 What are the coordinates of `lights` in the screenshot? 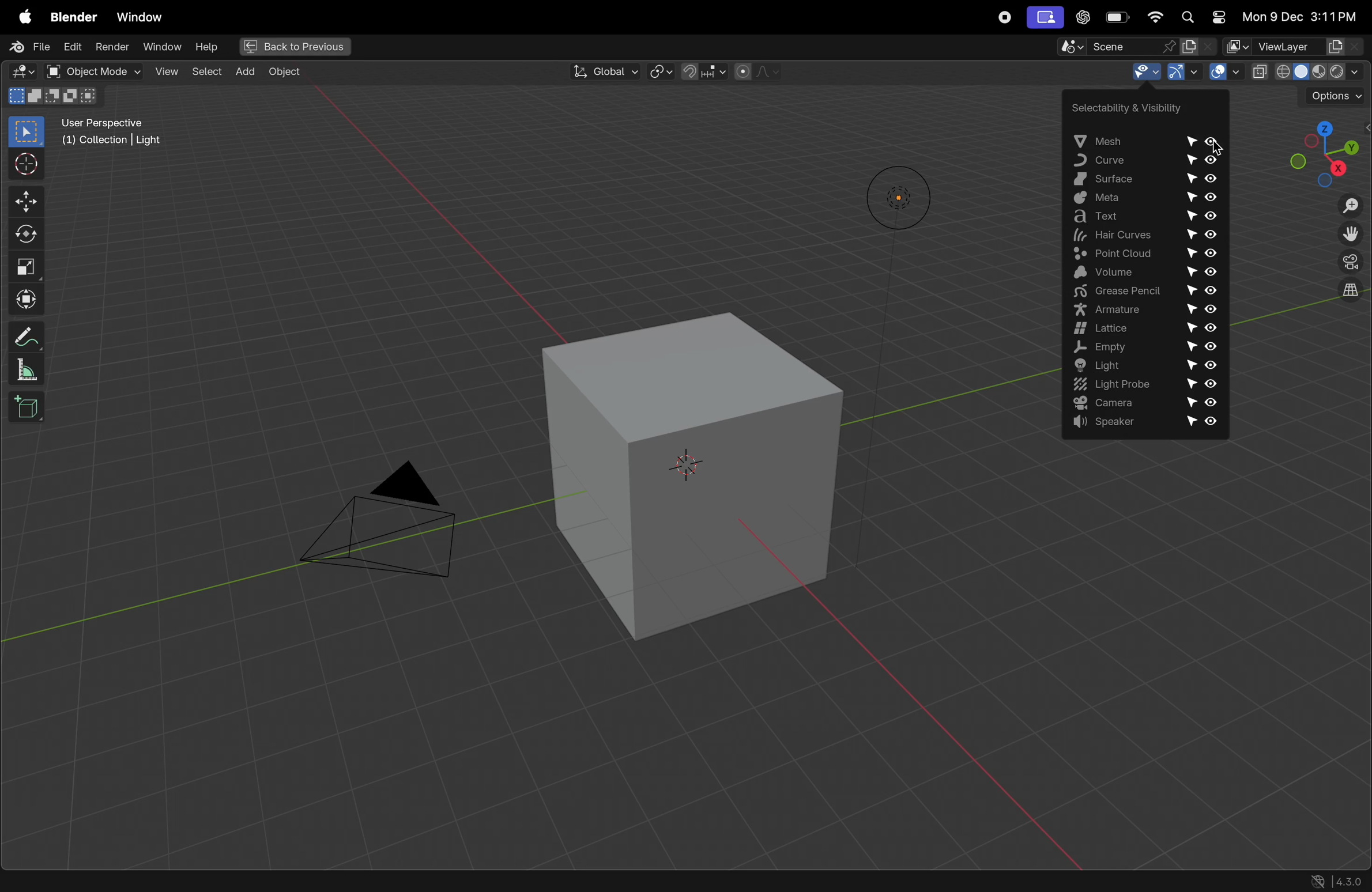 It's located at (891, 198).